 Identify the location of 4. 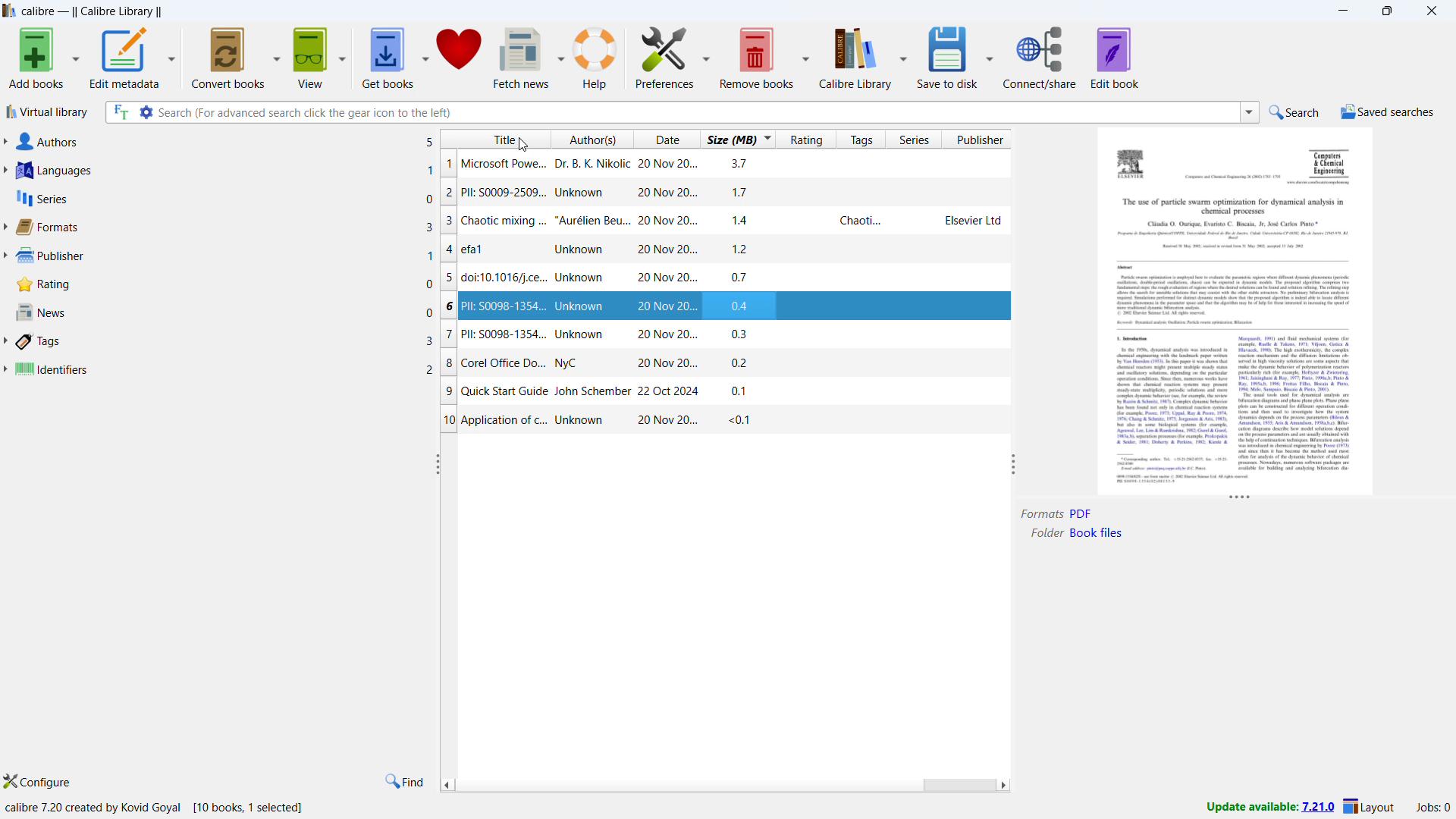
(449, 248).